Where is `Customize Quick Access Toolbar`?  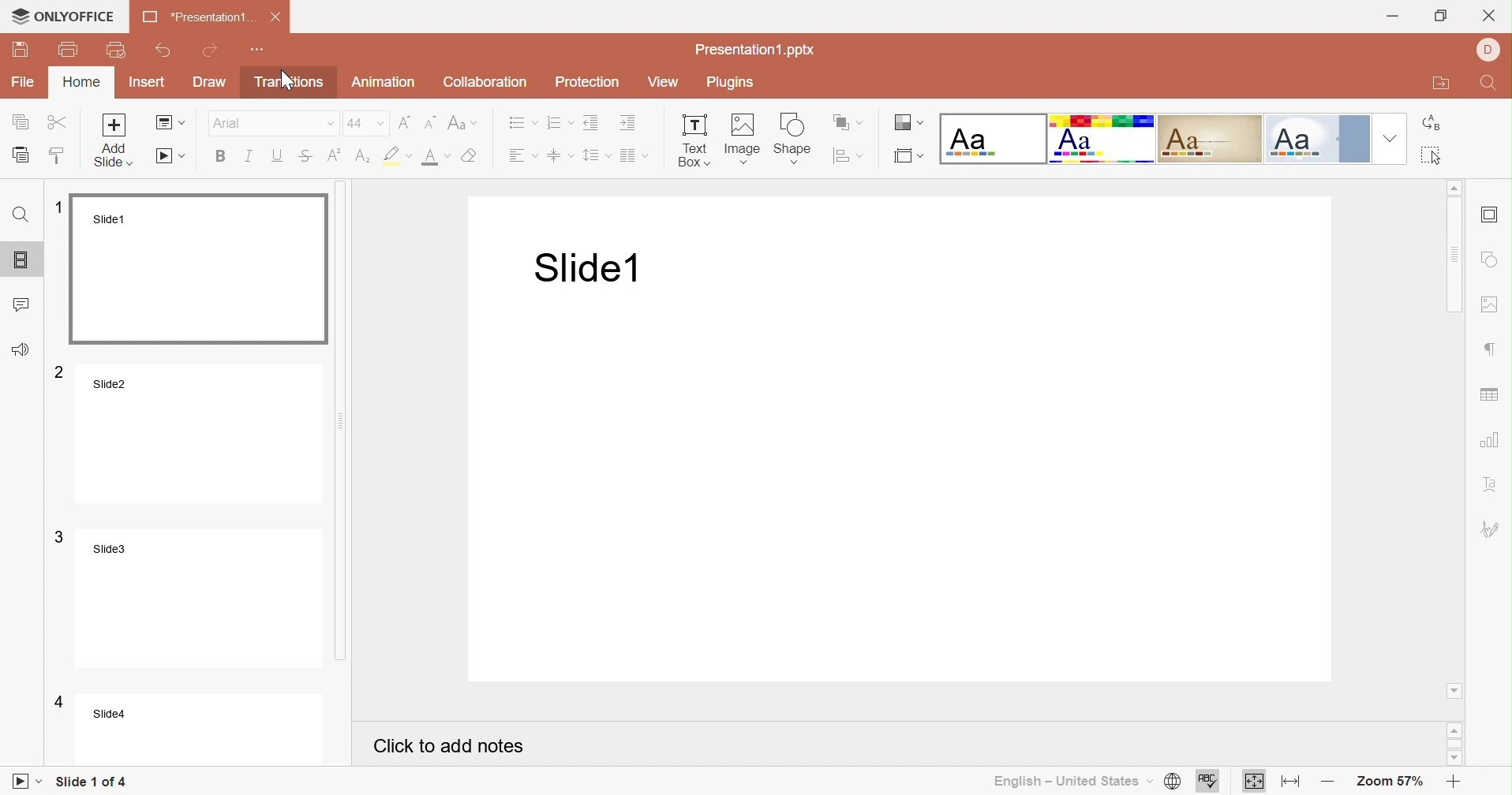 Customize Quick Access Toolbar is located at coordinates (258, 49).